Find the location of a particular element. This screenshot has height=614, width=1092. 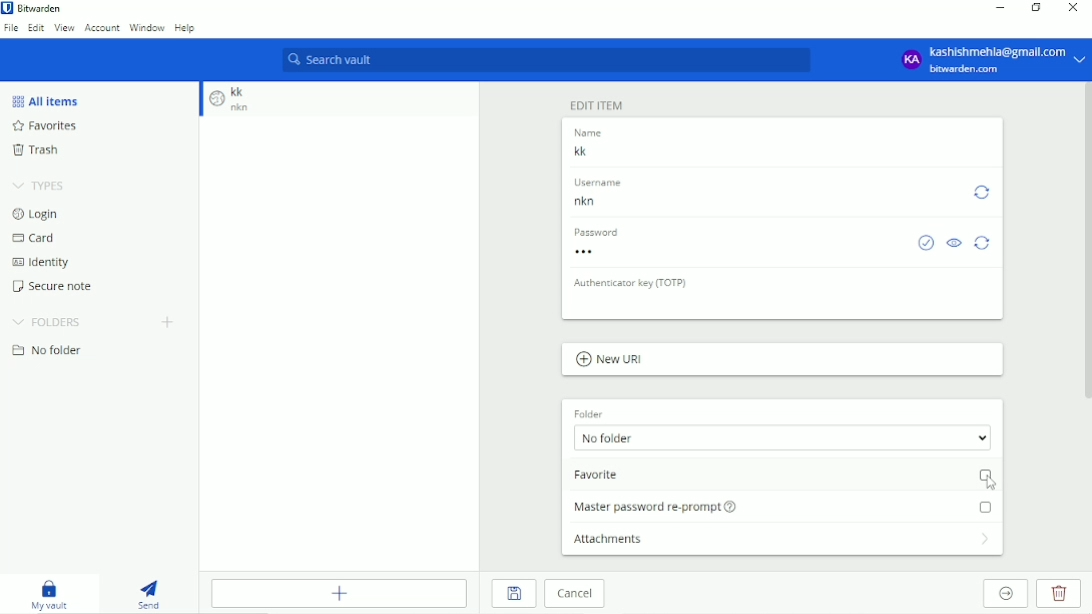

username label is located at coordinates (608, 183).